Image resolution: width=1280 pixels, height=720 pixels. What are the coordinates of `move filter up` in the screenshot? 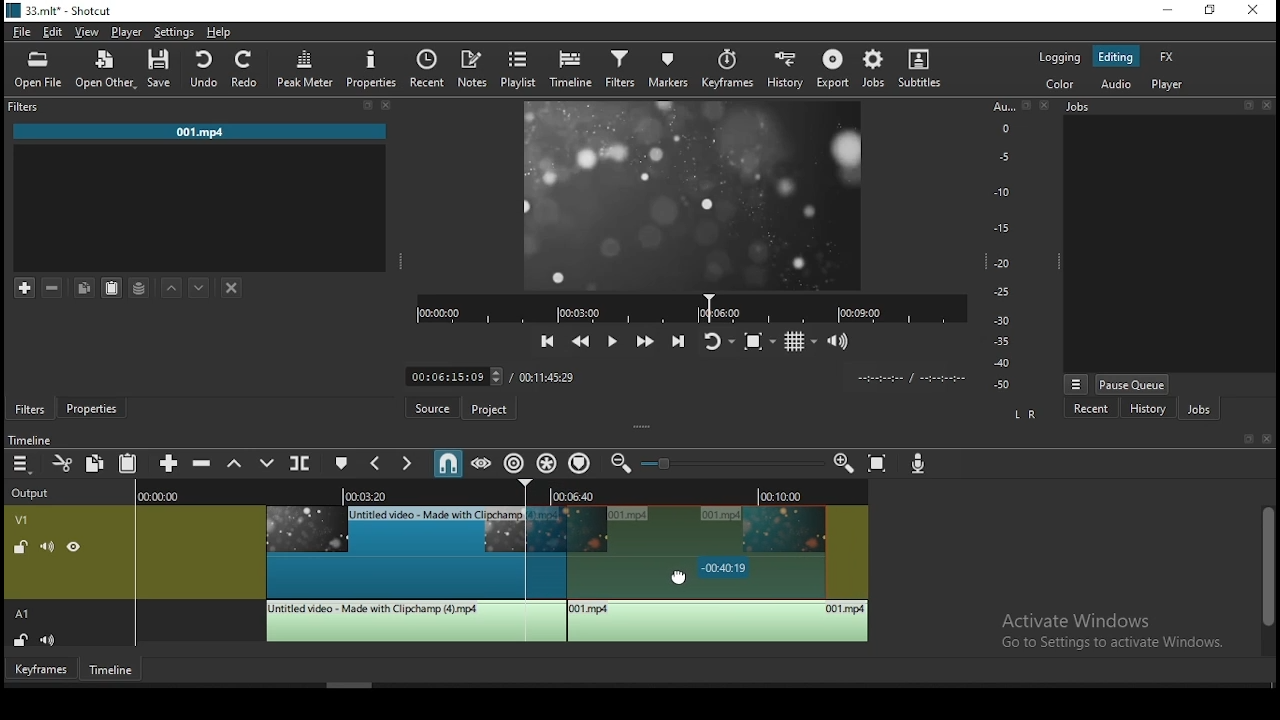 It's located at (175, 286).